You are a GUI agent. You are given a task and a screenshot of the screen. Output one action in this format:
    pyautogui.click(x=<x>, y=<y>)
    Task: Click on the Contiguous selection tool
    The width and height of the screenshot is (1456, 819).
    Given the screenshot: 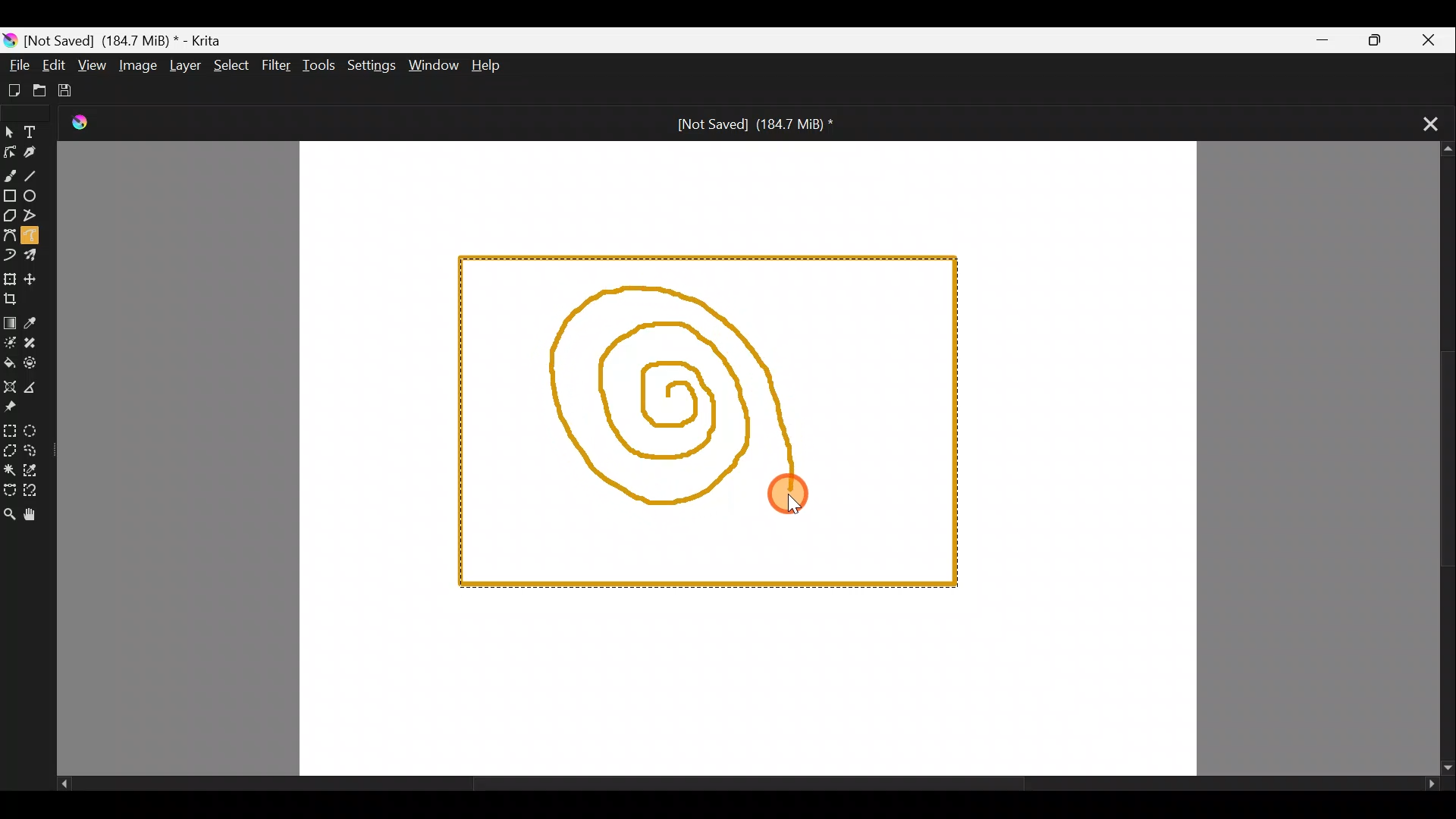 What is the action you would take?
    pyautogui.click(x=9, y=467)
    